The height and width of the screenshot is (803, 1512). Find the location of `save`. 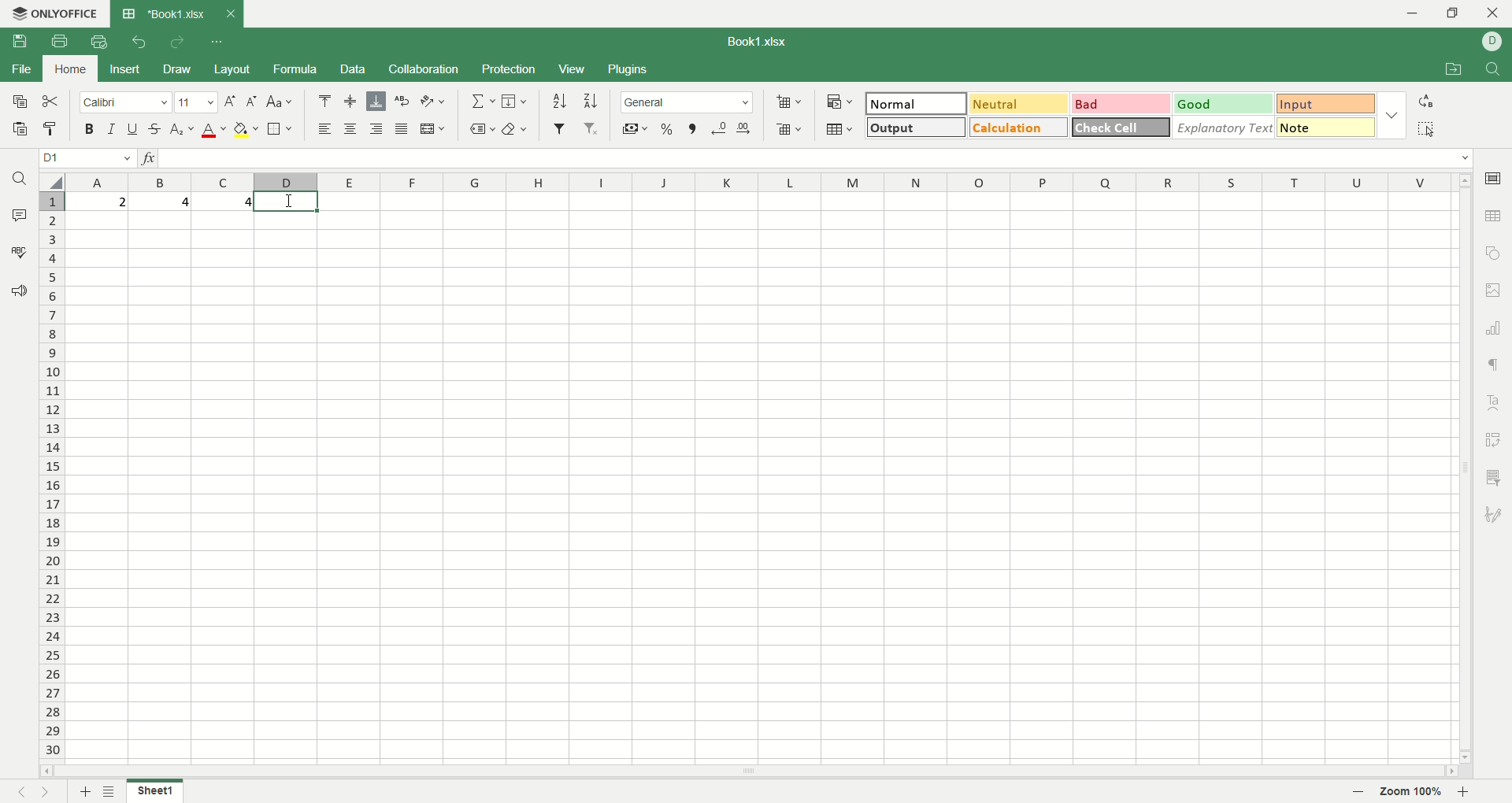

save is located at coordinates (20, 102).